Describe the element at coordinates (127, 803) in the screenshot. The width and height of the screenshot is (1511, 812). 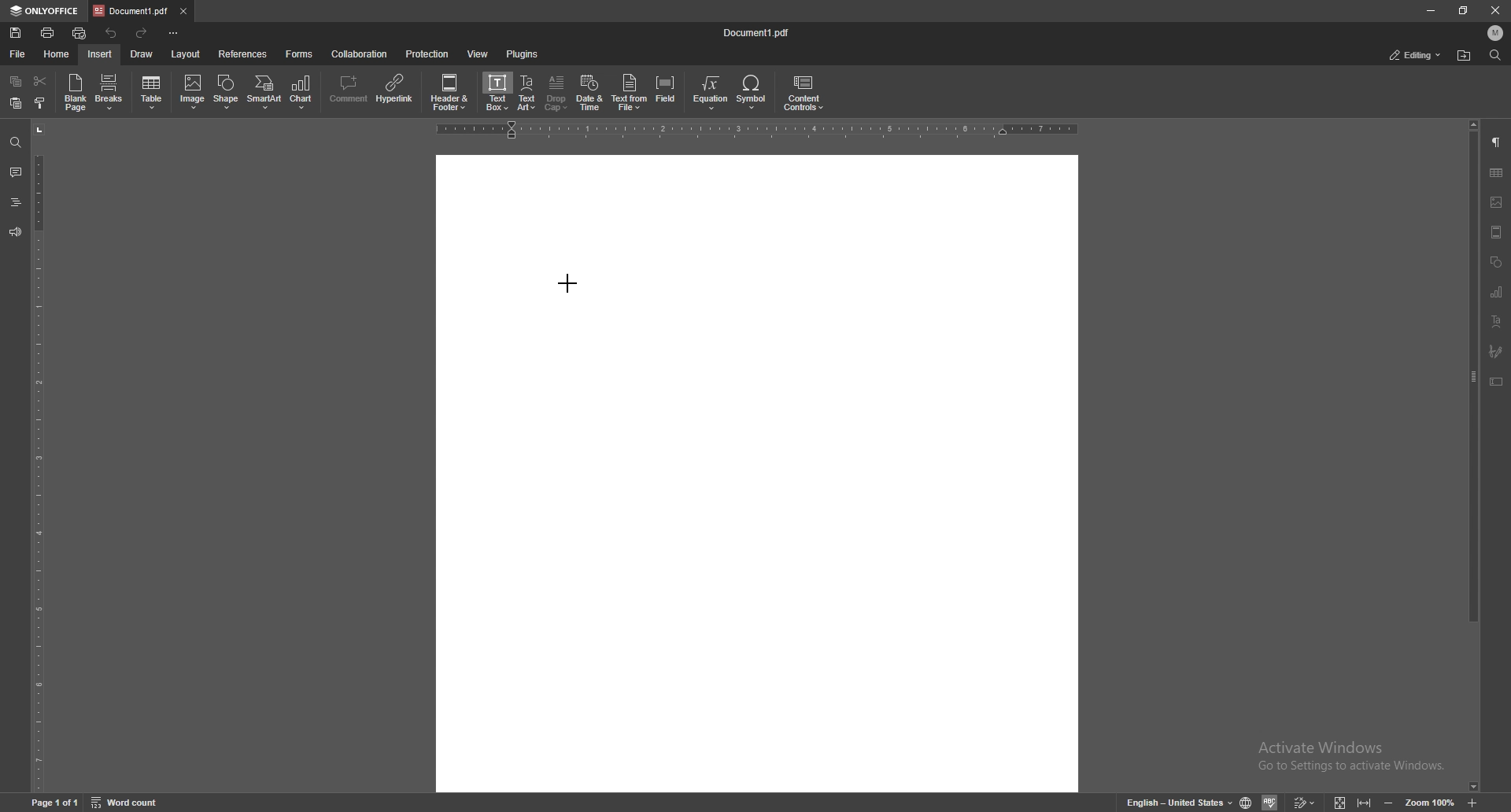
I see `word count` at that location.